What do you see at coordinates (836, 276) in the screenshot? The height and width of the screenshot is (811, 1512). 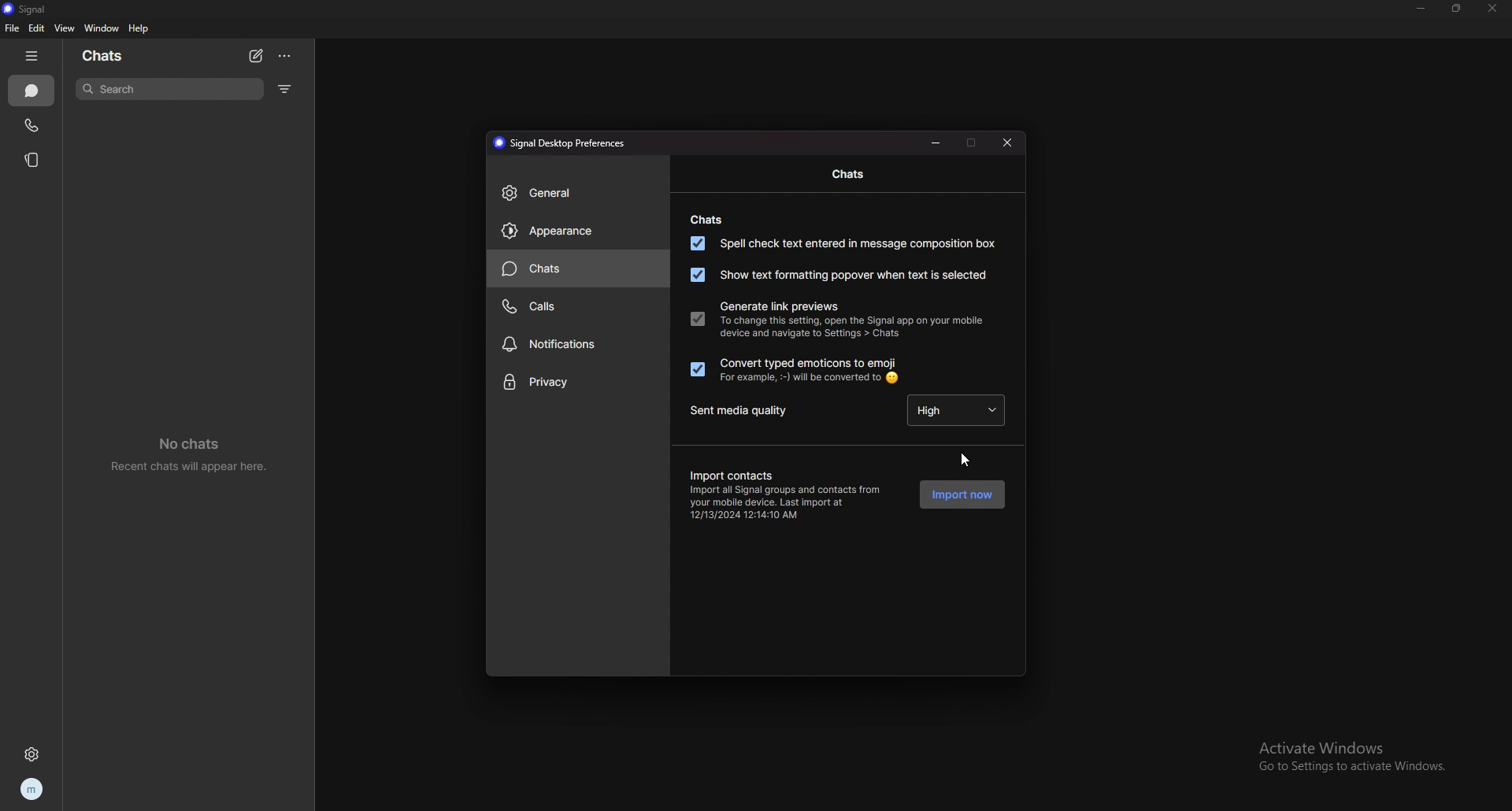 I see `show text formatting popover when text is selected` at bounding box center [836, 276].